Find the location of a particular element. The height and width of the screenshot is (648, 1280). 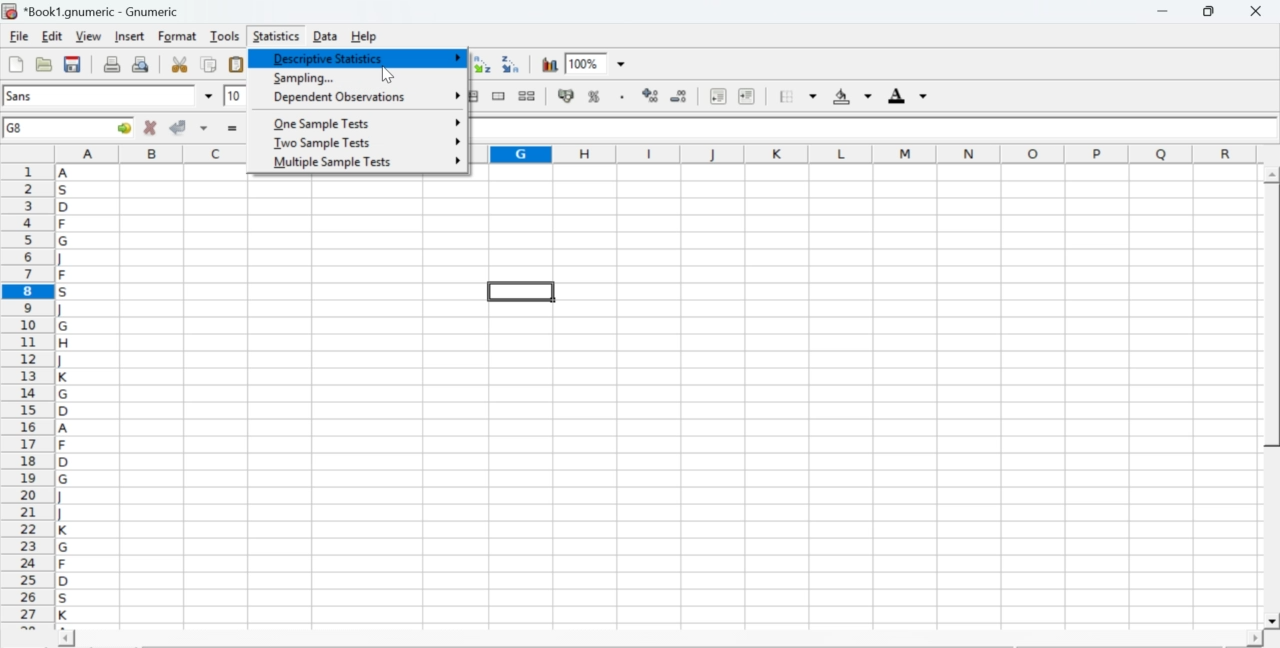

more is located at coordinates (458, 141).